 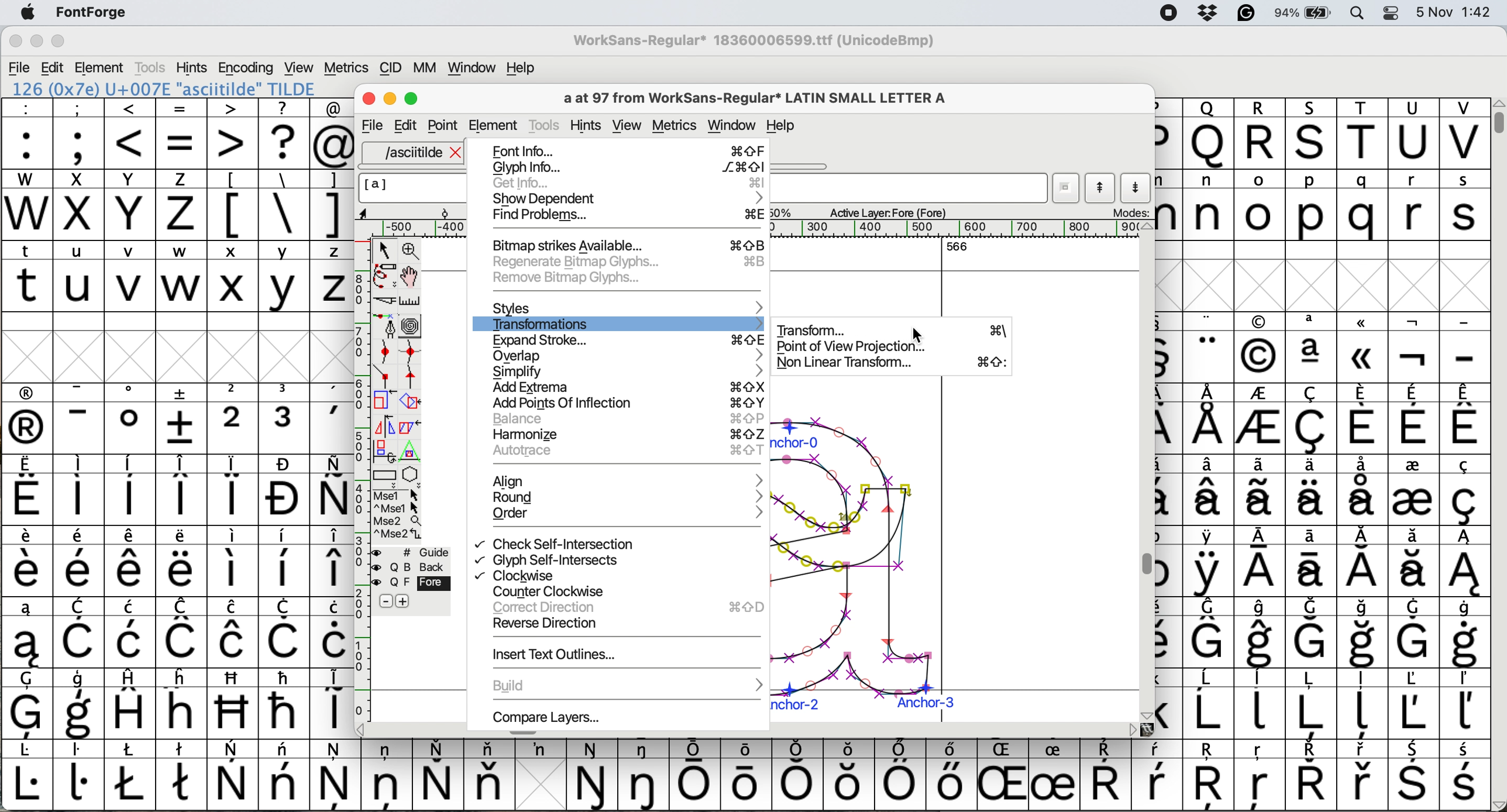 I want to click on encoding, so click(x=247, y=68).